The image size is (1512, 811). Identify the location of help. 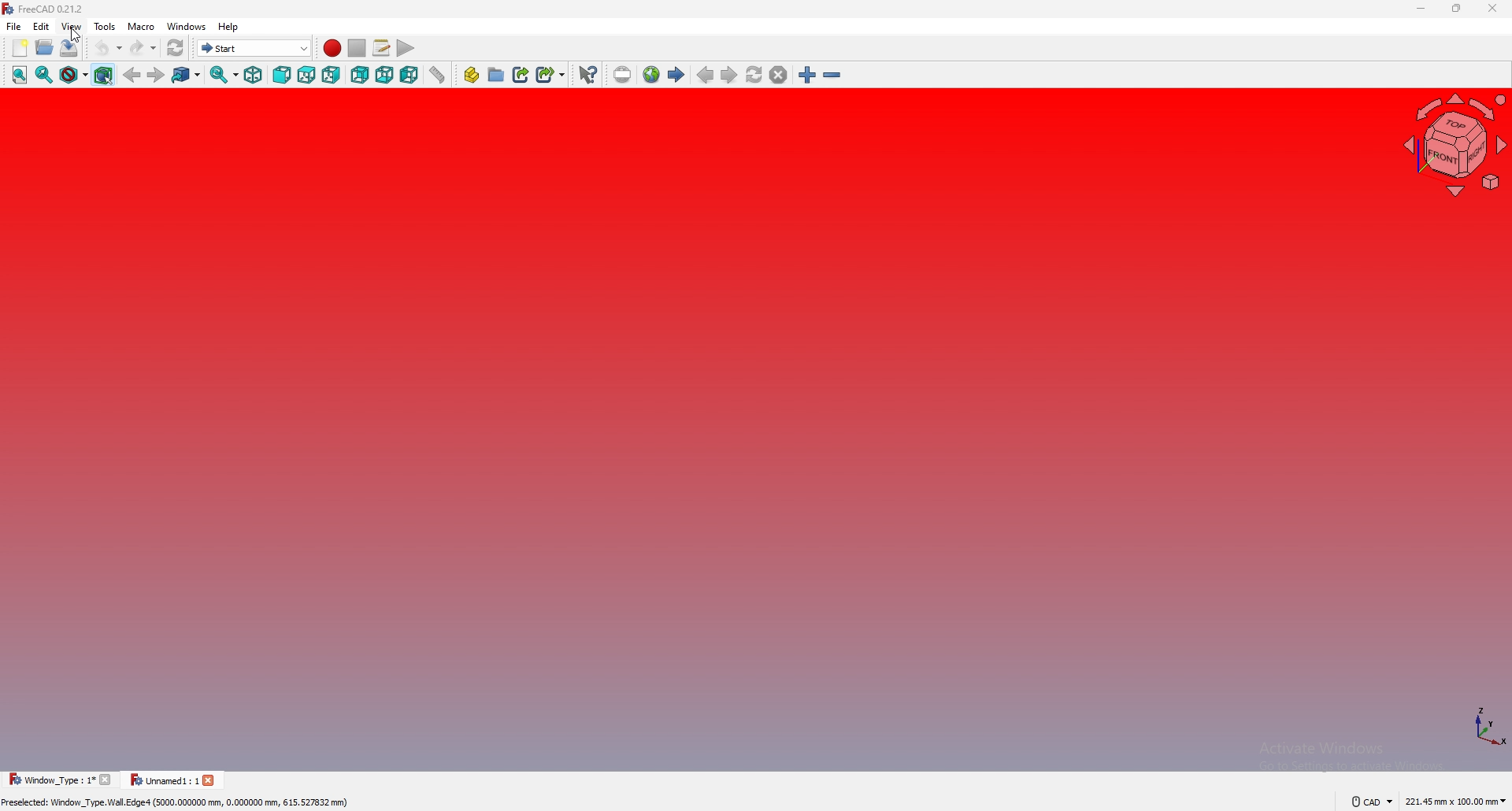
(229, 27).